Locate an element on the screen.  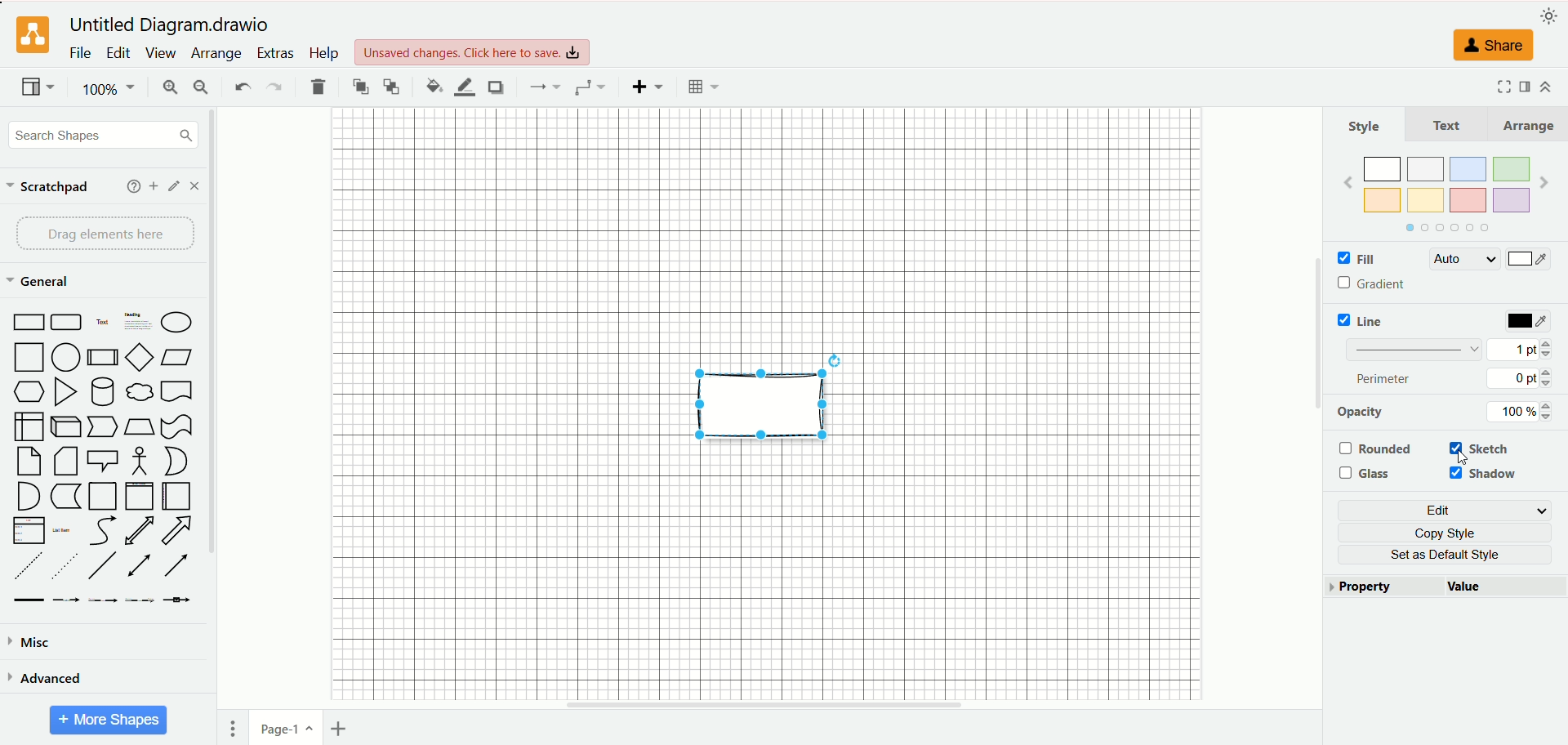
0 pt is located at coordinates (1522, 378).